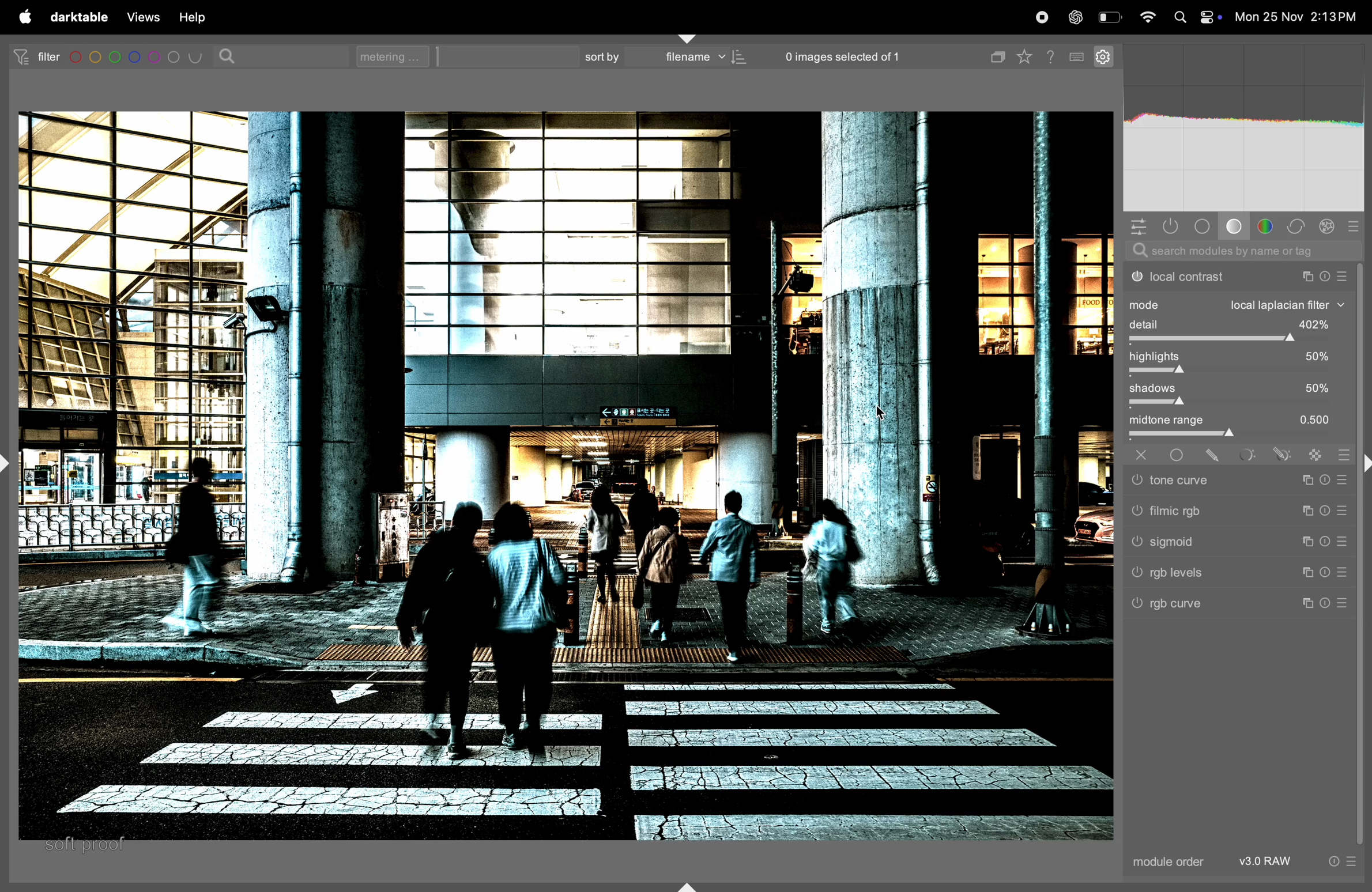 This screenshot has height=892, width=1372. Describe the element at coordinates (1077, 58) in the screenshot. I see `keyboard shortcuts` at that location.